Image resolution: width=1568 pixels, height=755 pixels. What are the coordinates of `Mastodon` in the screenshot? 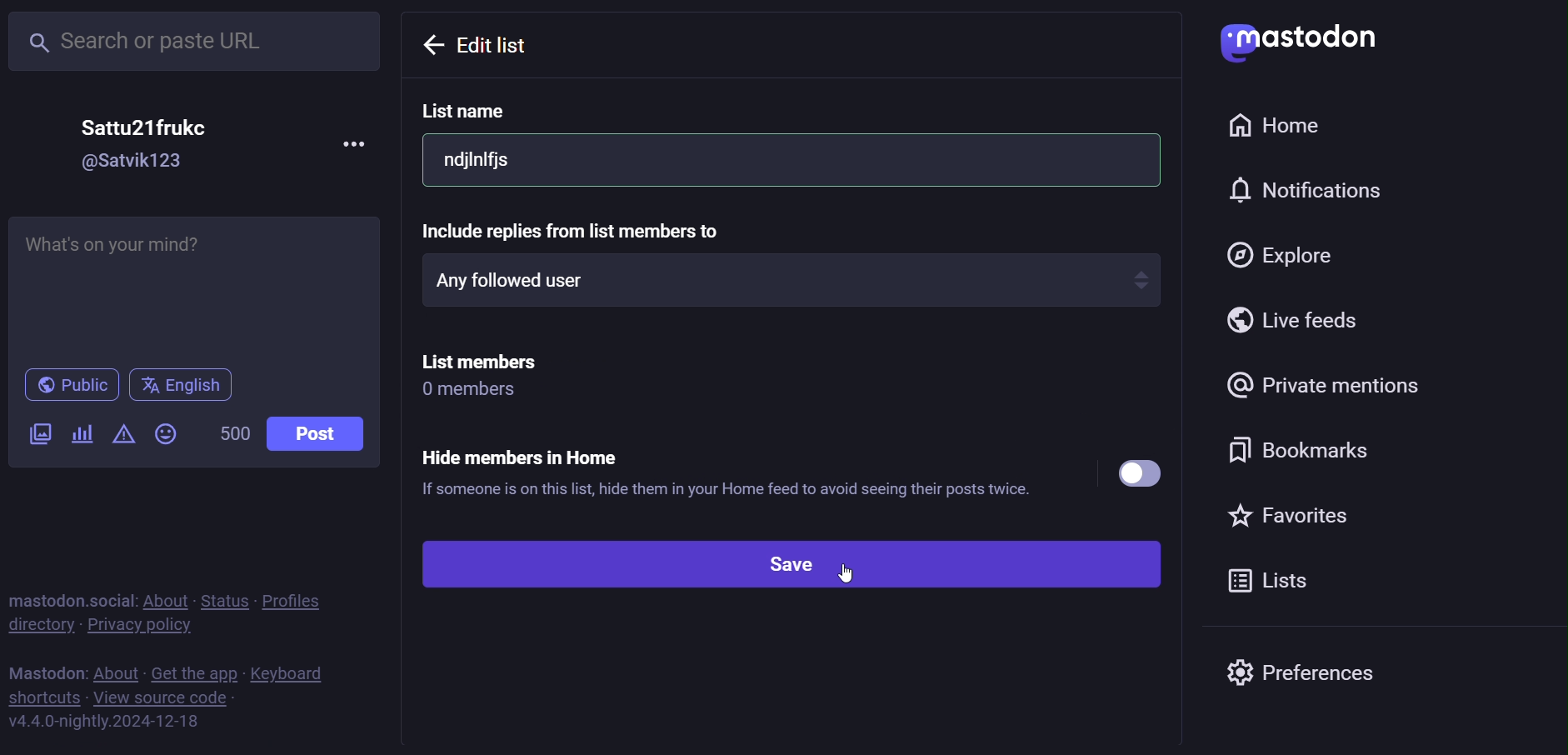 It's located at (1305, 39).